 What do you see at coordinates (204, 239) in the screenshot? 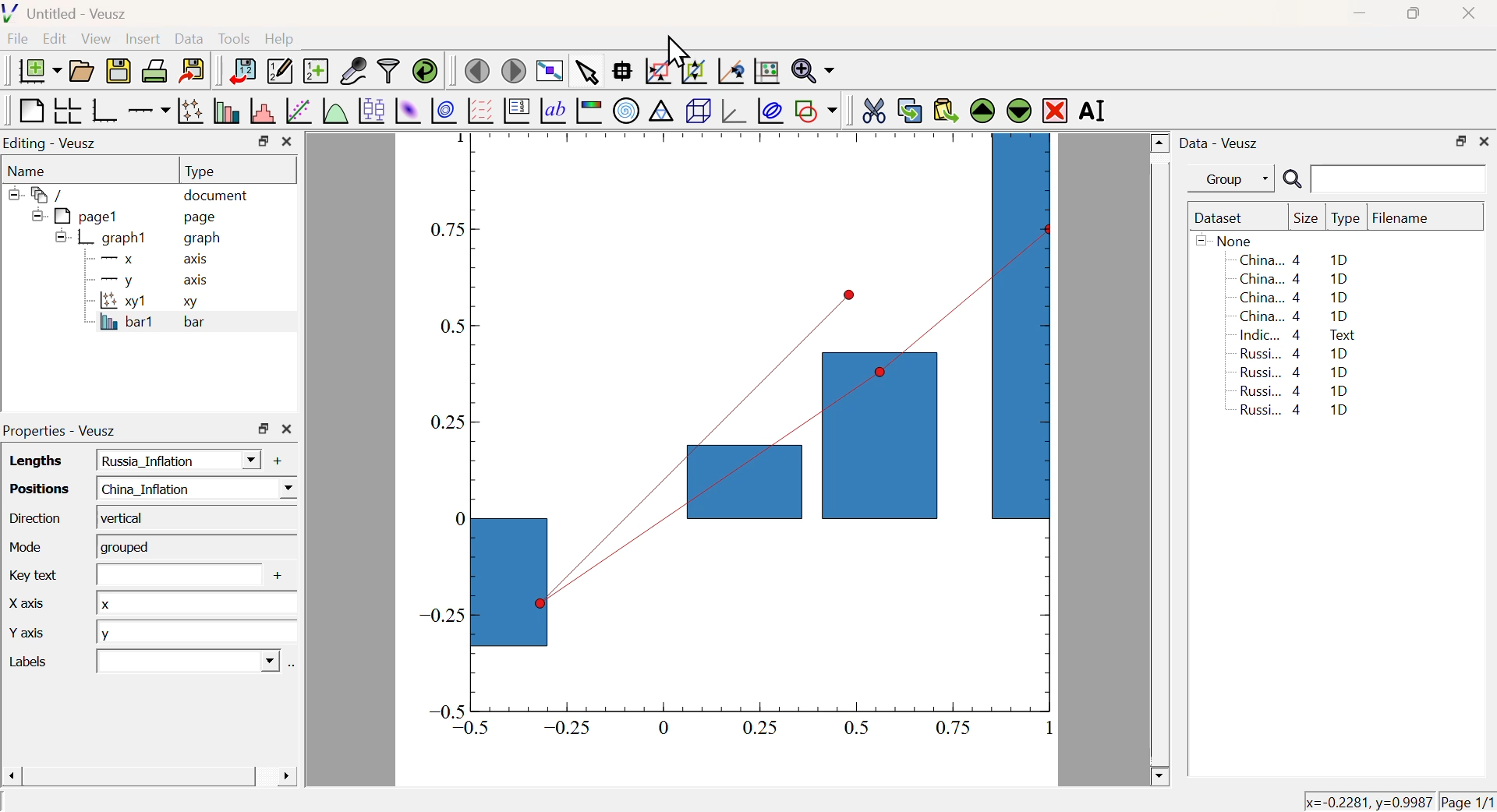
I see `graph` at bounding box center [204, 239].